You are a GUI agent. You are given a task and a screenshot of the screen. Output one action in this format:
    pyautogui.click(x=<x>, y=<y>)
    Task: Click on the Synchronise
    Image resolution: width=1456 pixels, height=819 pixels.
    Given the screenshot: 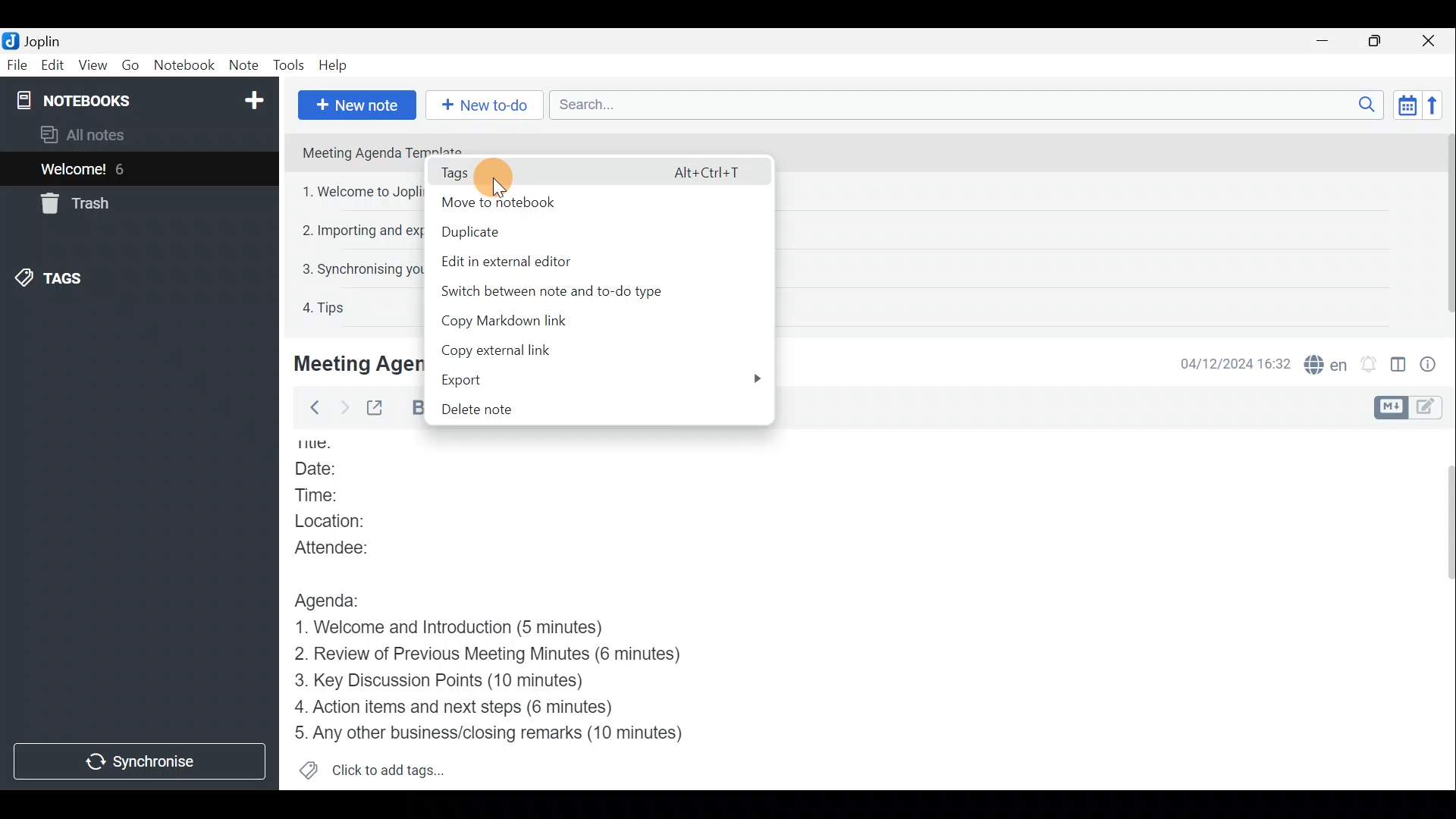 What is the action you would take?
    pyautogui.click(x=138, y=760)
    